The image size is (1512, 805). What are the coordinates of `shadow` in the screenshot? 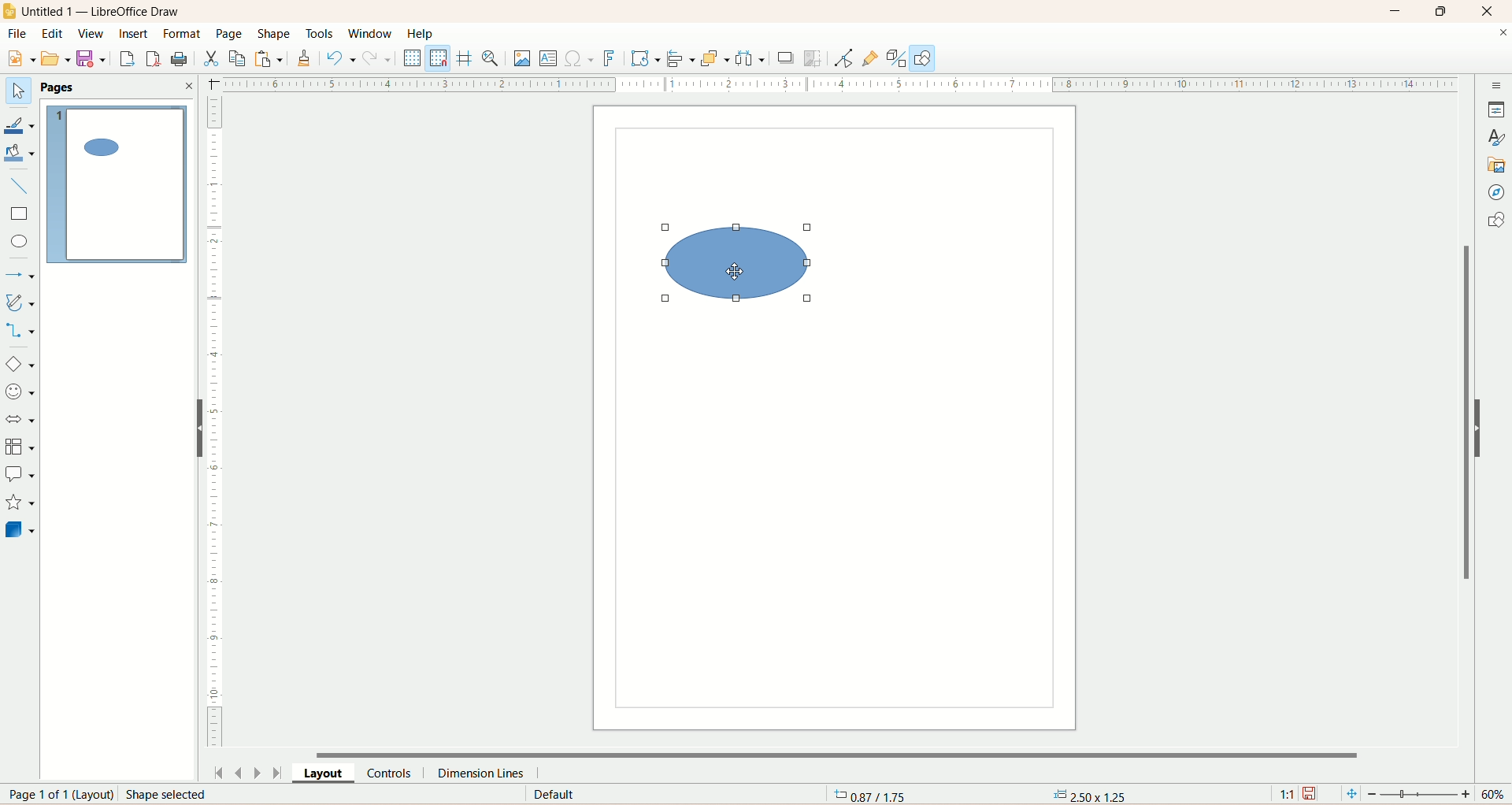 It's located at (784, 60).